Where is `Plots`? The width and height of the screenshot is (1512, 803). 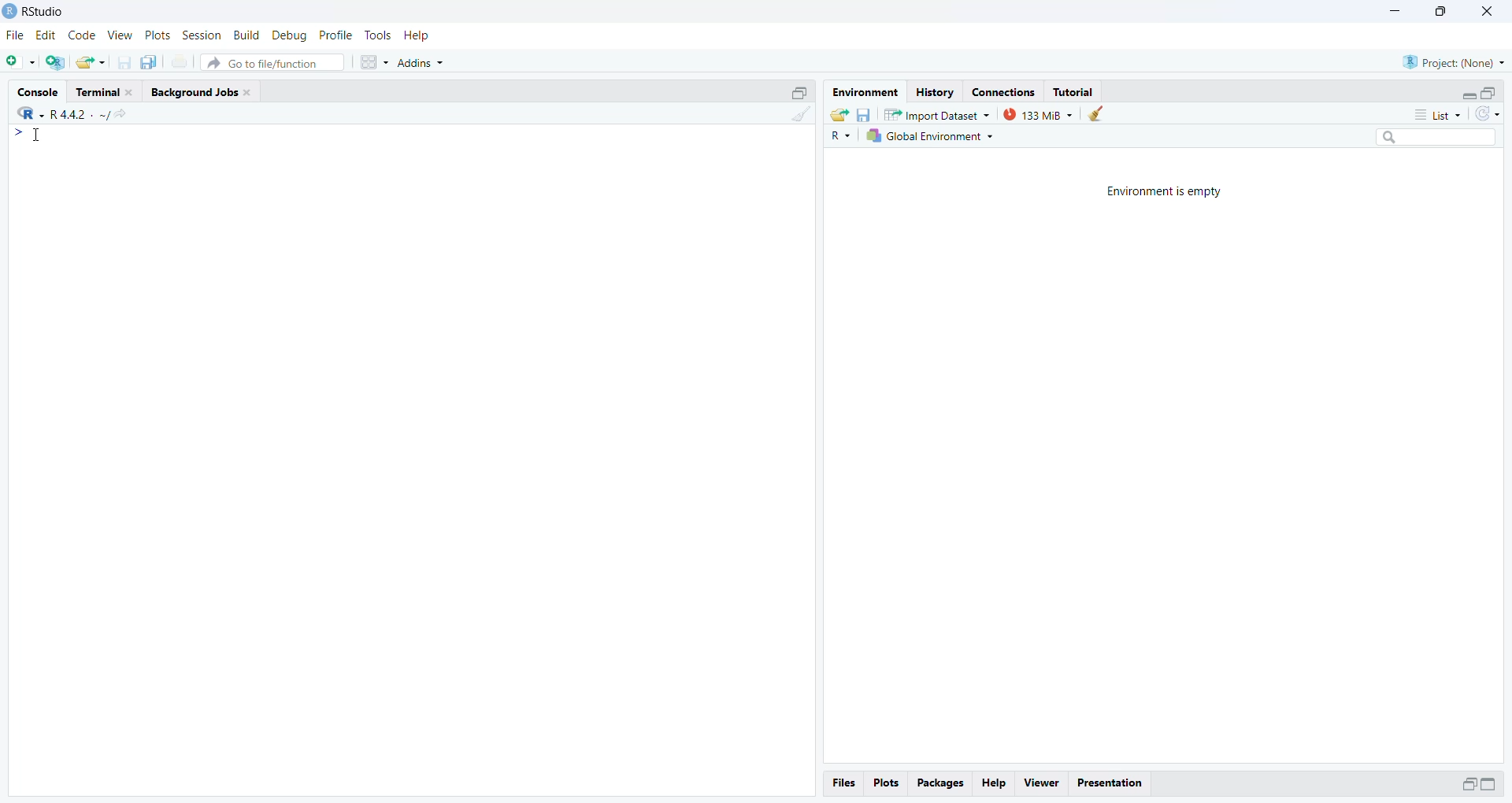
Plots is located at coordinates (888, 783).